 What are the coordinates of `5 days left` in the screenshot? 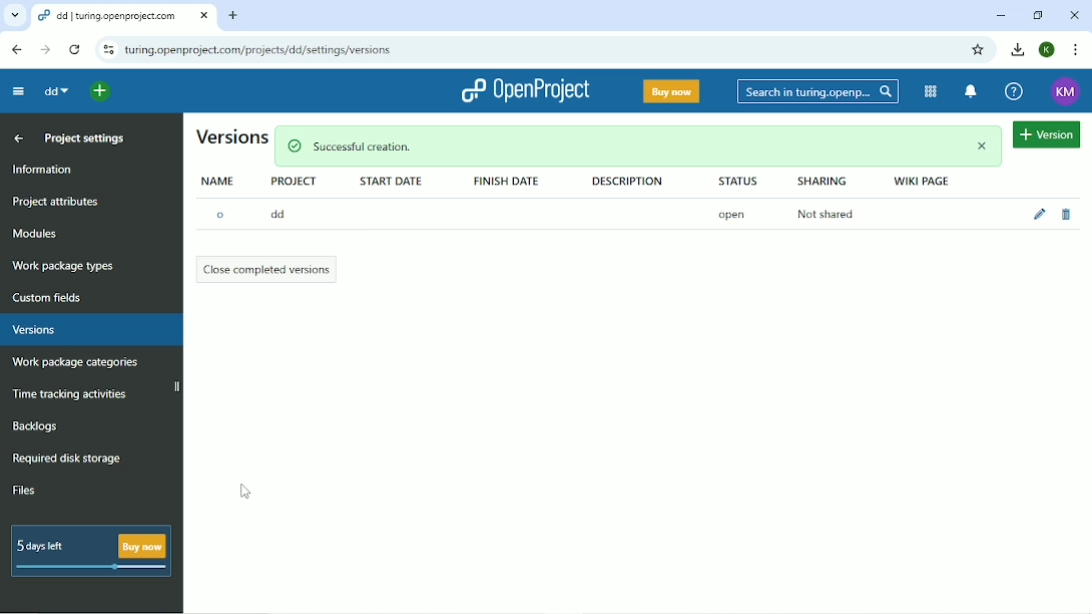 It's located at (89, 552).